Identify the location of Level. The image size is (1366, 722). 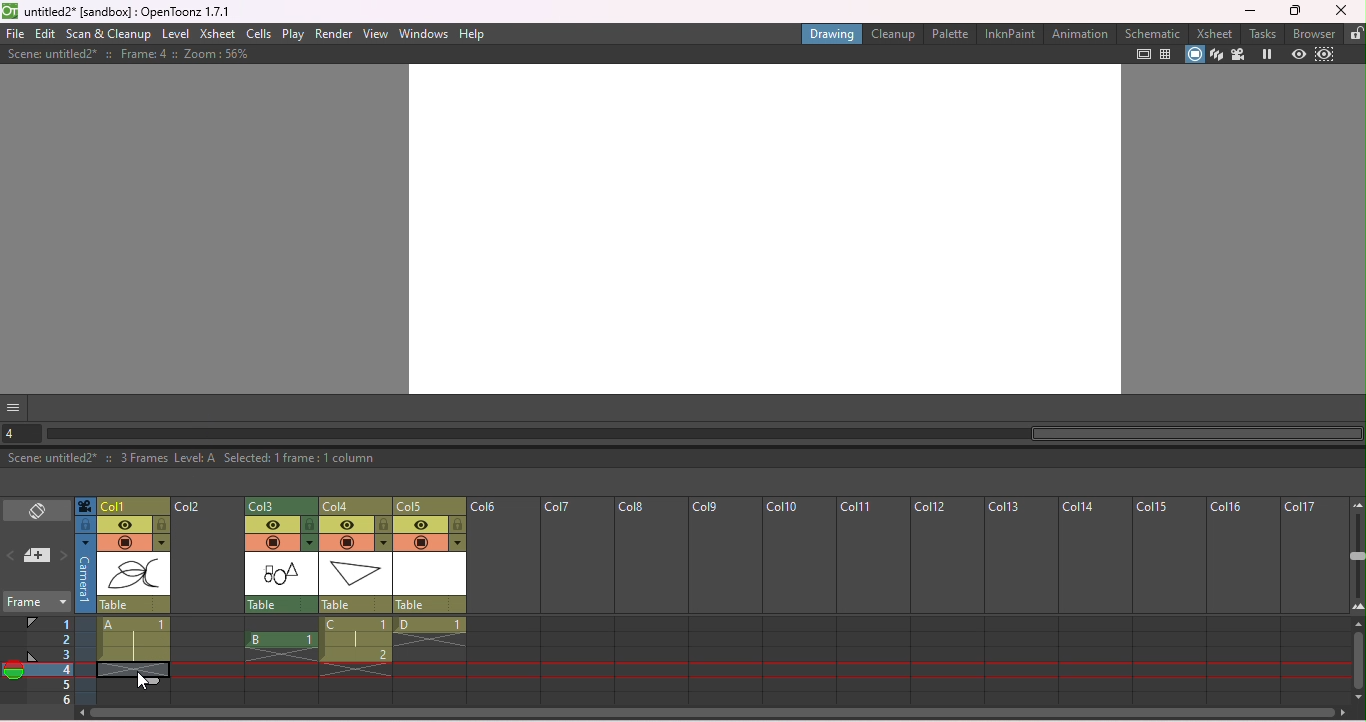
(175, 35).